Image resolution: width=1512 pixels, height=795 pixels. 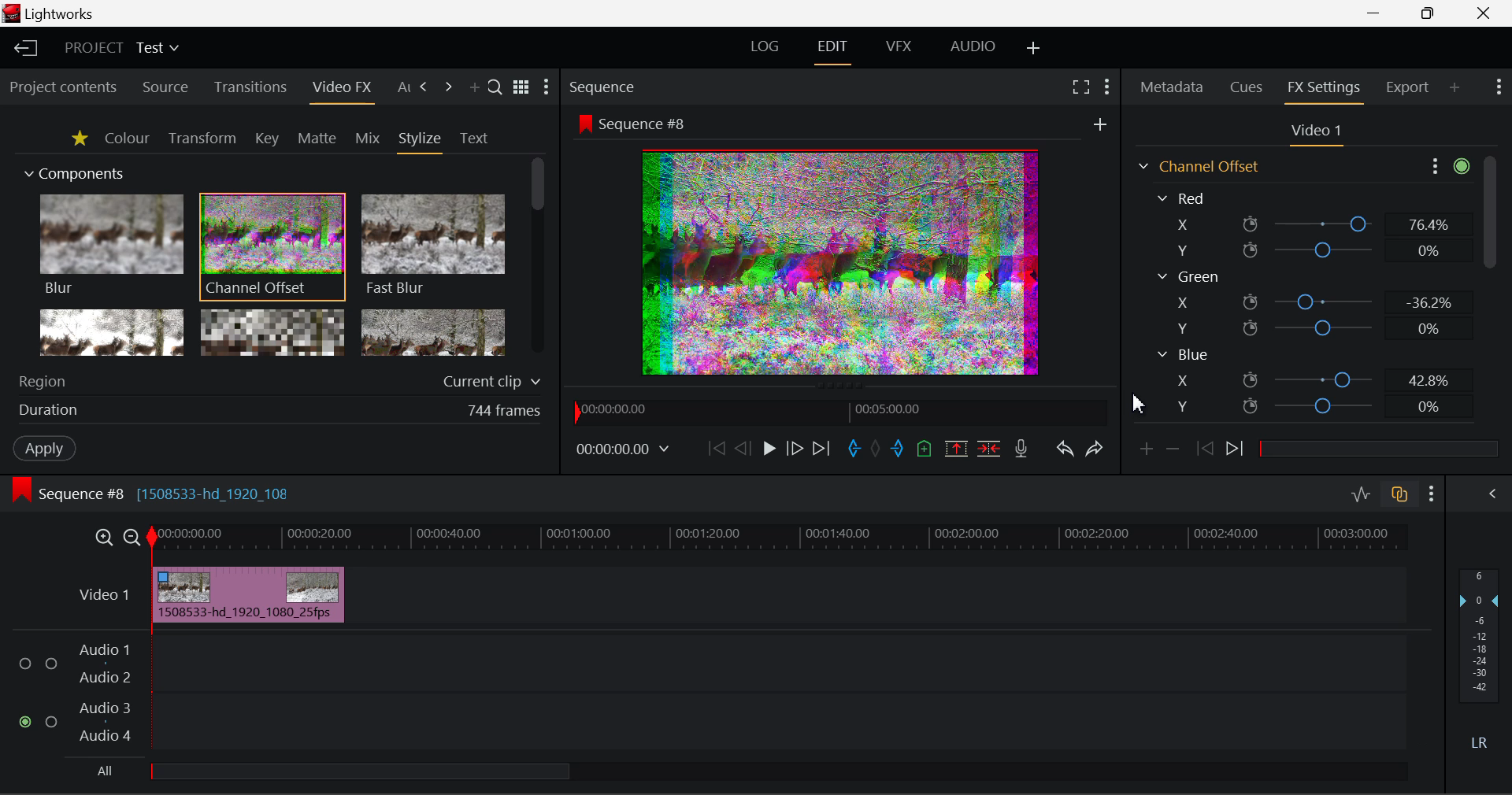 I want to click on Channel Offset, so click(x=1196, y=166).